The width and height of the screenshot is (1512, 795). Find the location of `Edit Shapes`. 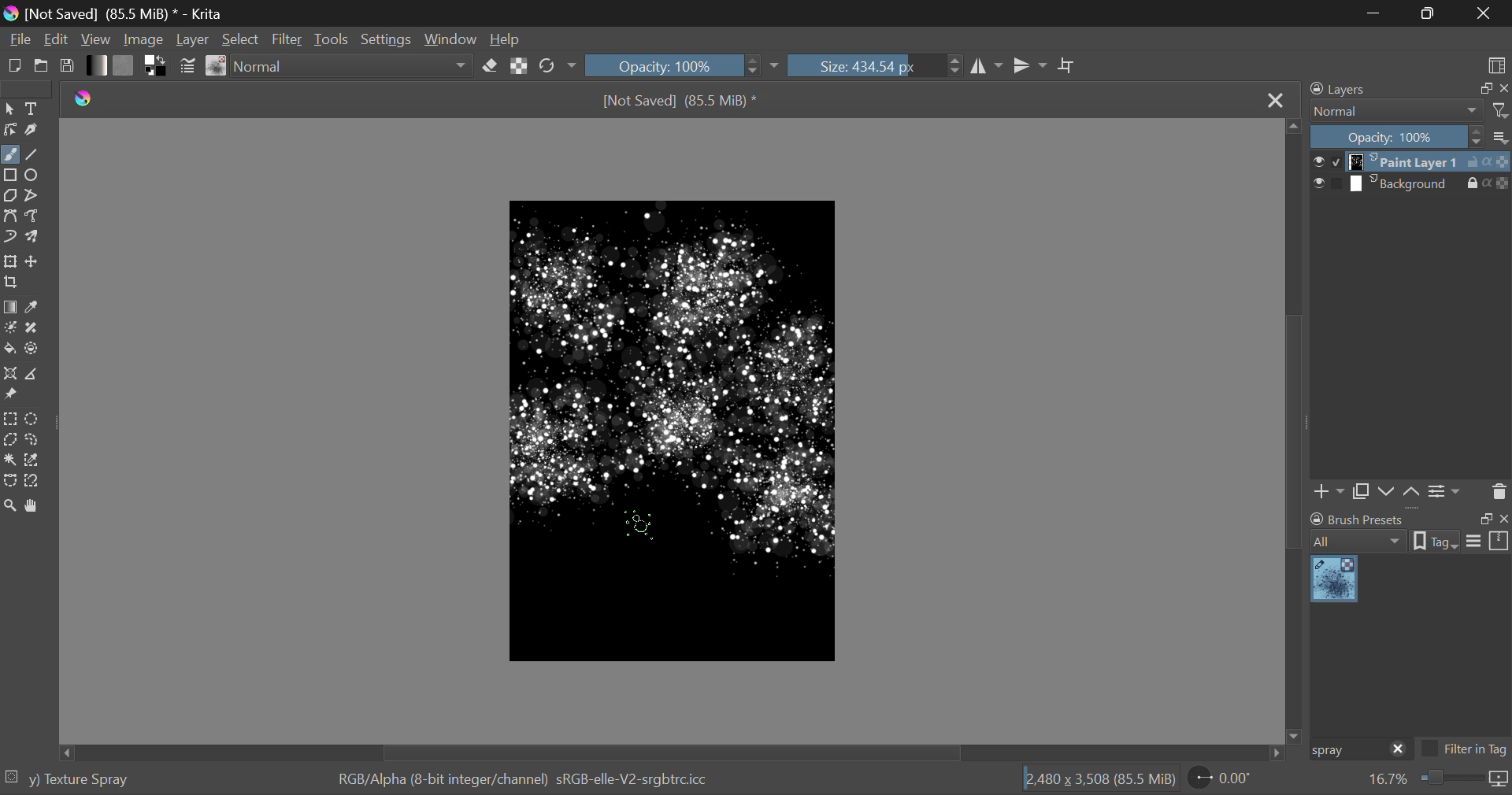

Edit Shapes is located at coordinates (11, 130).